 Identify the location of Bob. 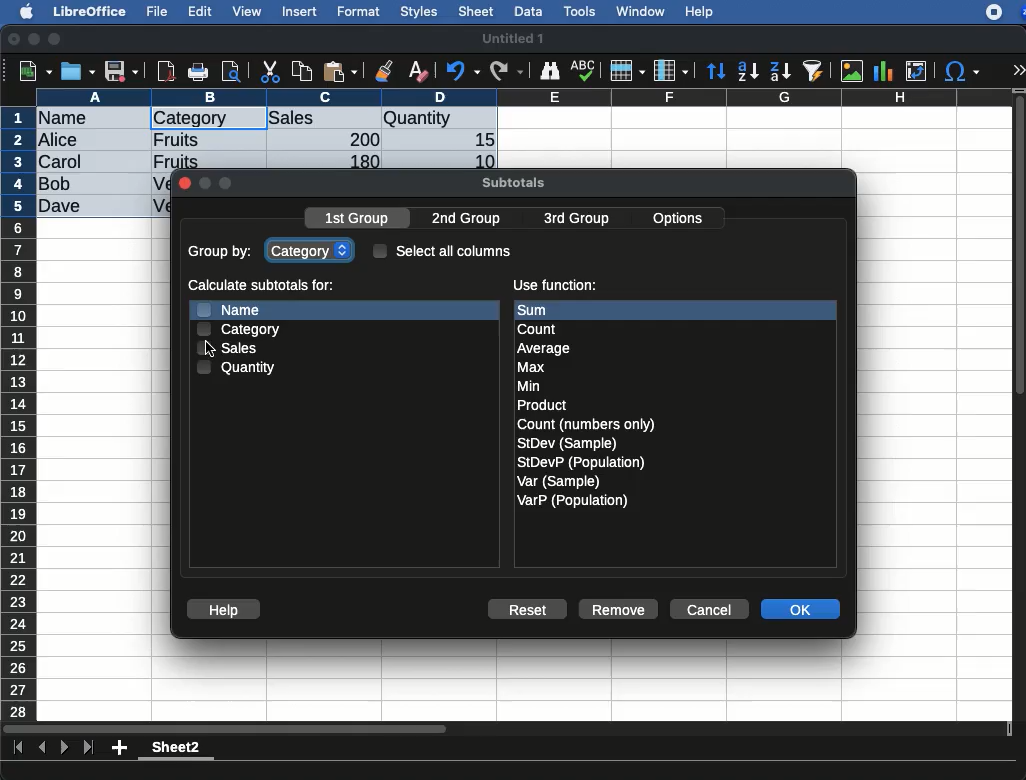
(56, 185).